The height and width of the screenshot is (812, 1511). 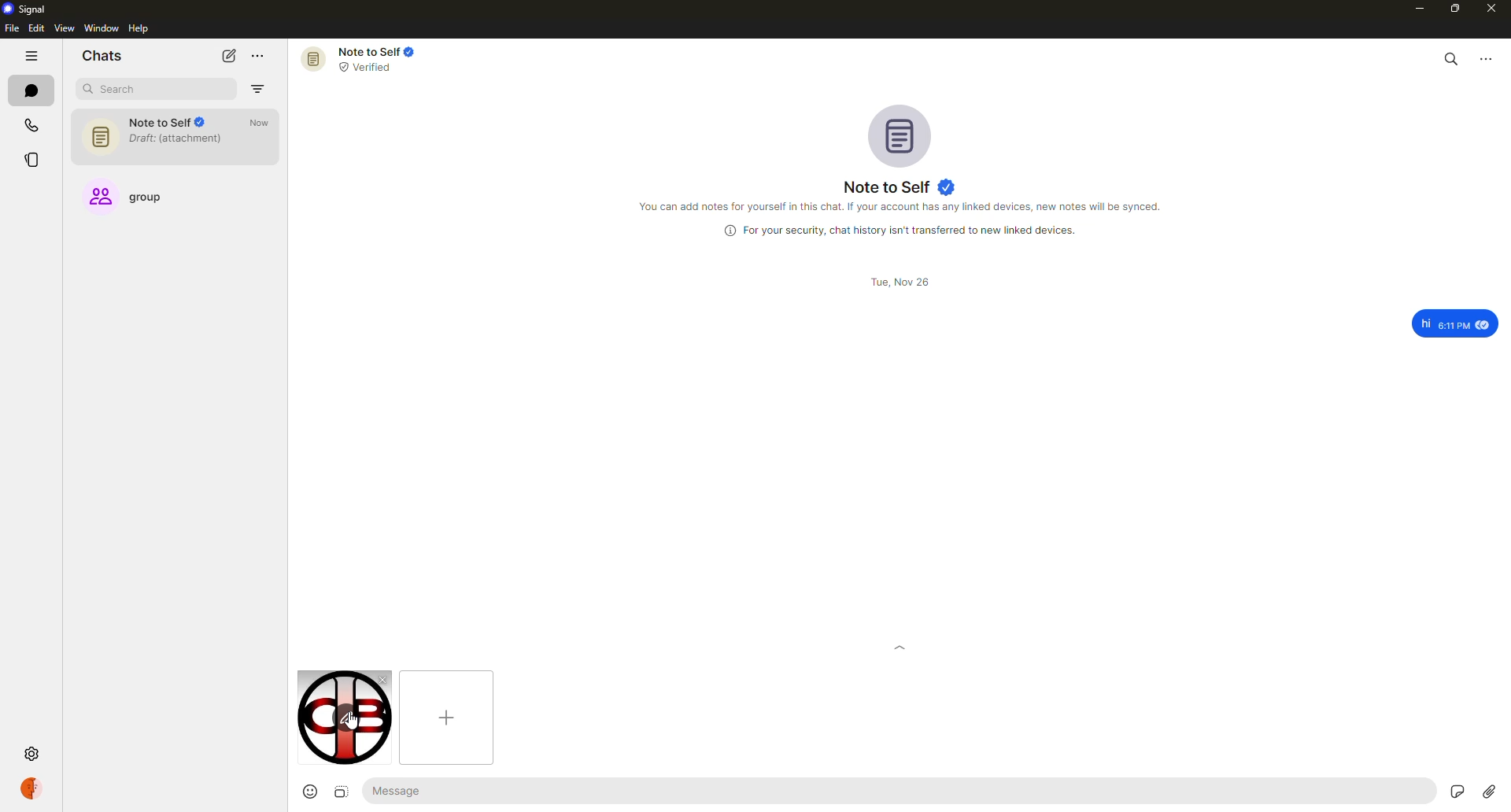 What do you see at coordinates (128, 90) in the screenshot?
I see `search` at bounding box center [128, 90].